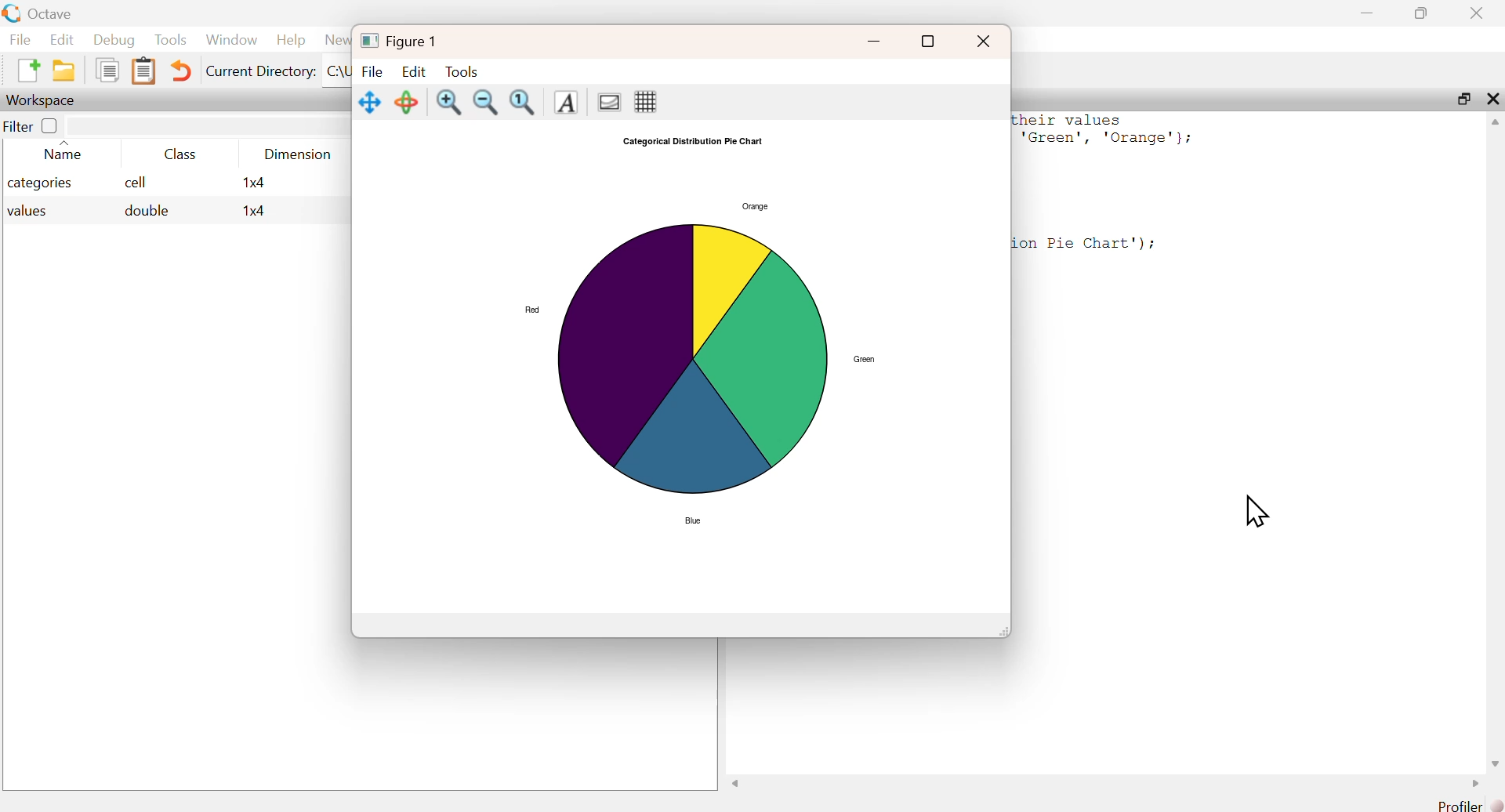 Image resolution: width=1505 pixels, height=812 pixels. I want to click on maximize, so click(1463, 97).